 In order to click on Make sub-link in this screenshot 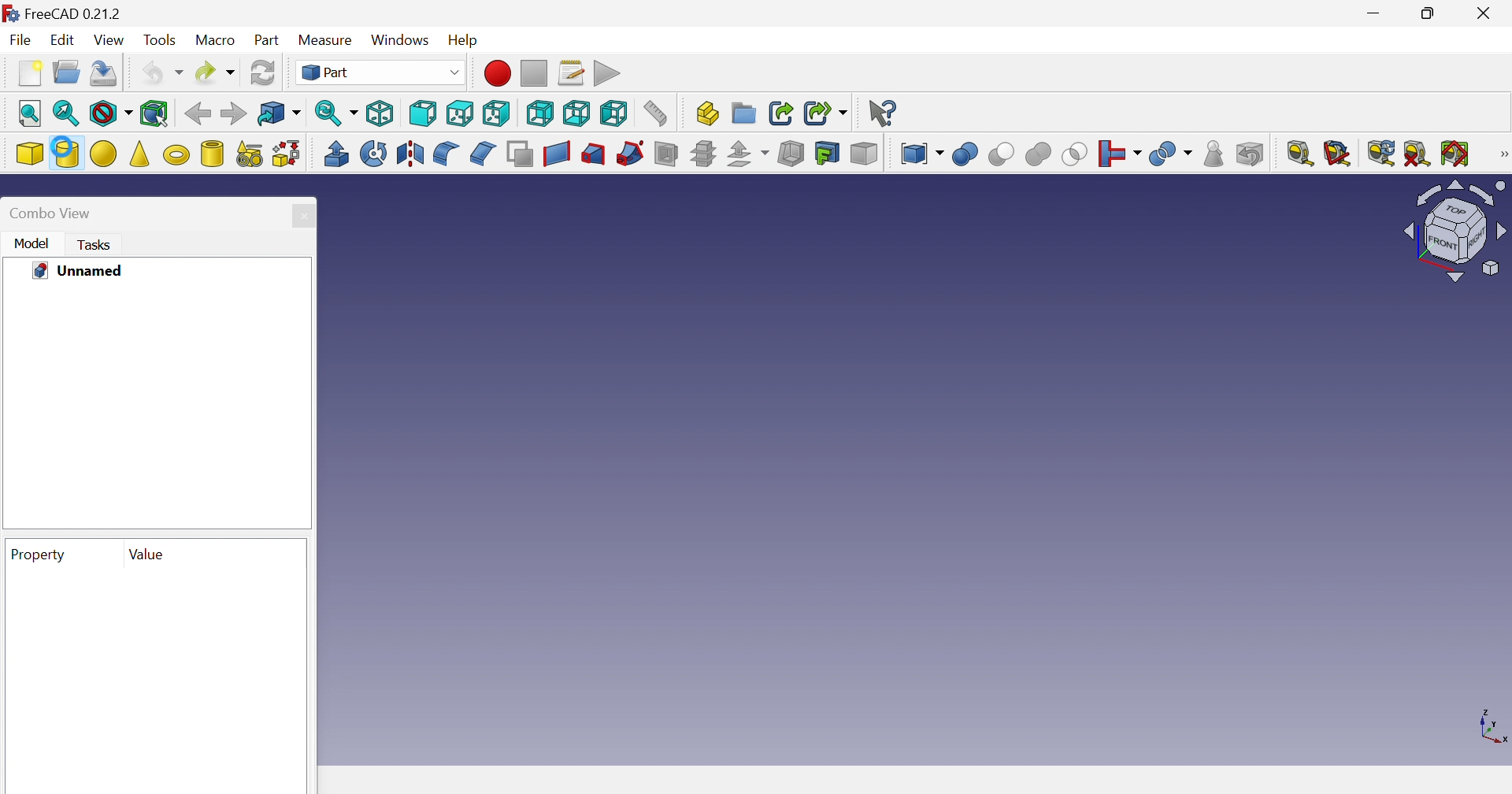, I will do `click(826, 114)`.